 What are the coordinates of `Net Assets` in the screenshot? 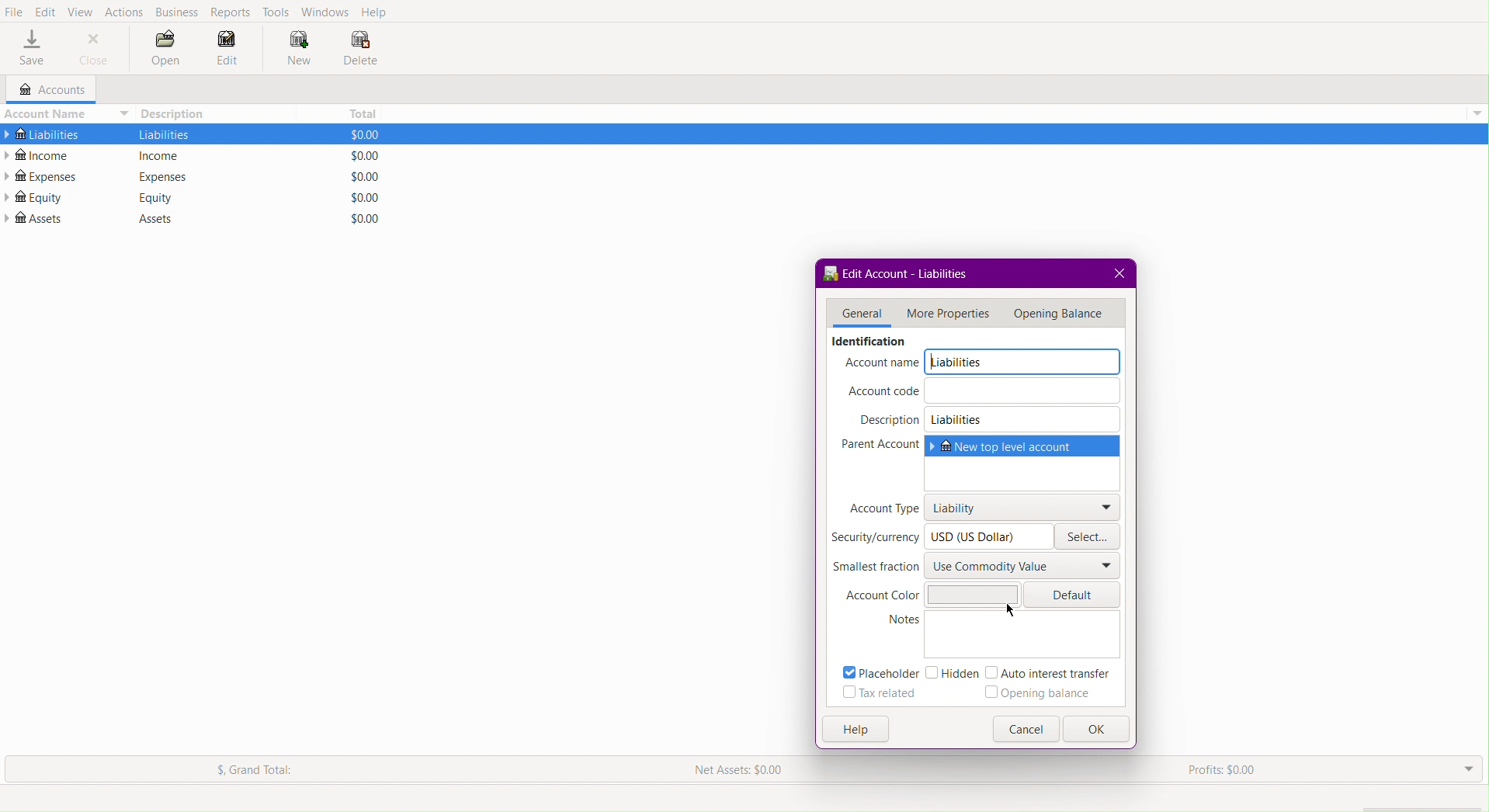 It's located at (741, 767).